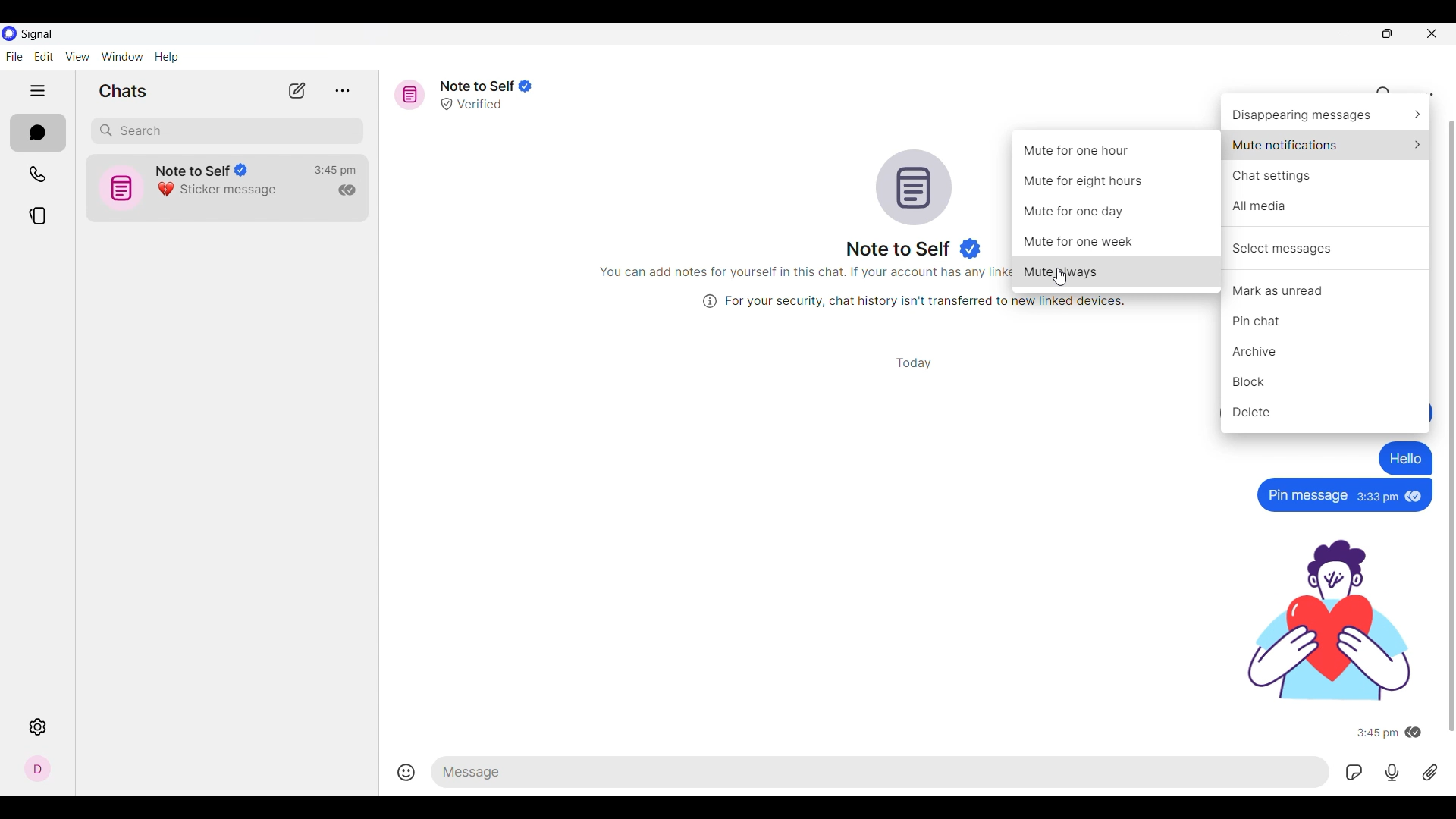 The image size is (1456, 819). Describe the element at coordinates (1407, 458) in the screenshot. I see `Hello` at that location.